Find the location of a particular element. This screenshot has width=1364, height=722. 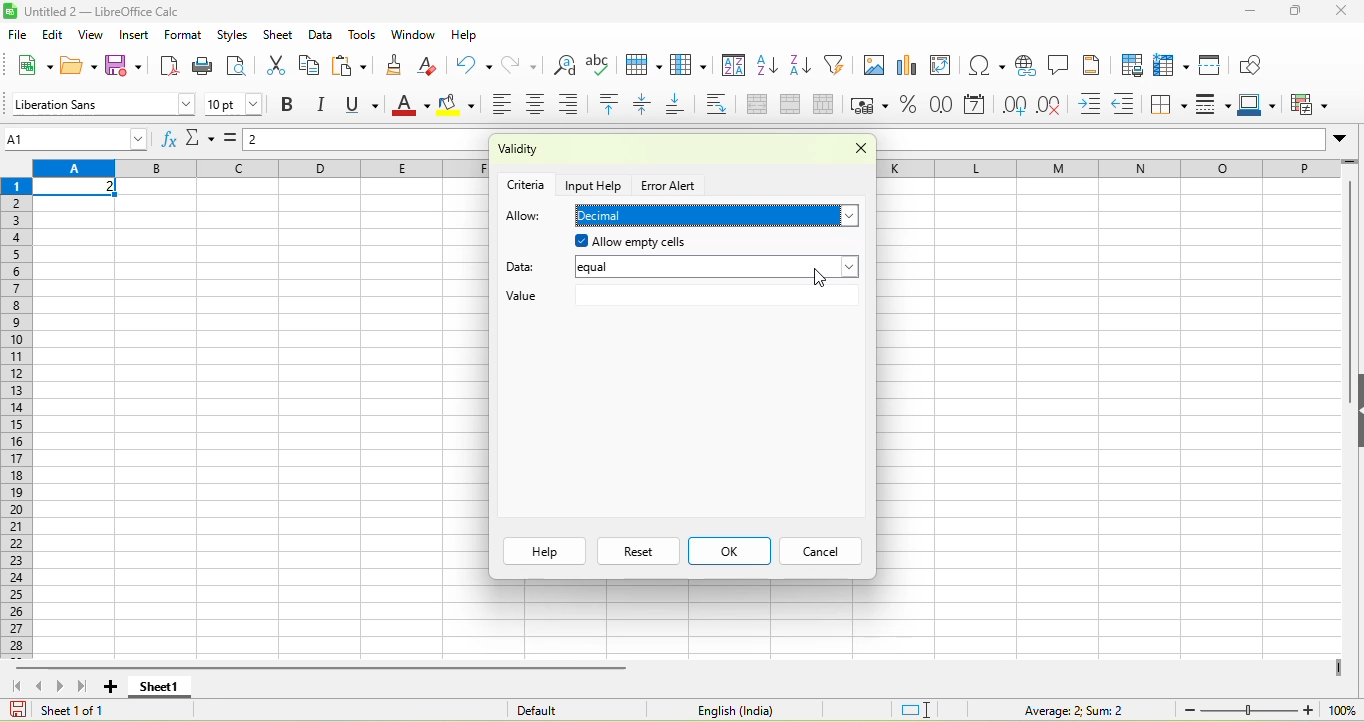

border color is located at coordinates (1261, 106).